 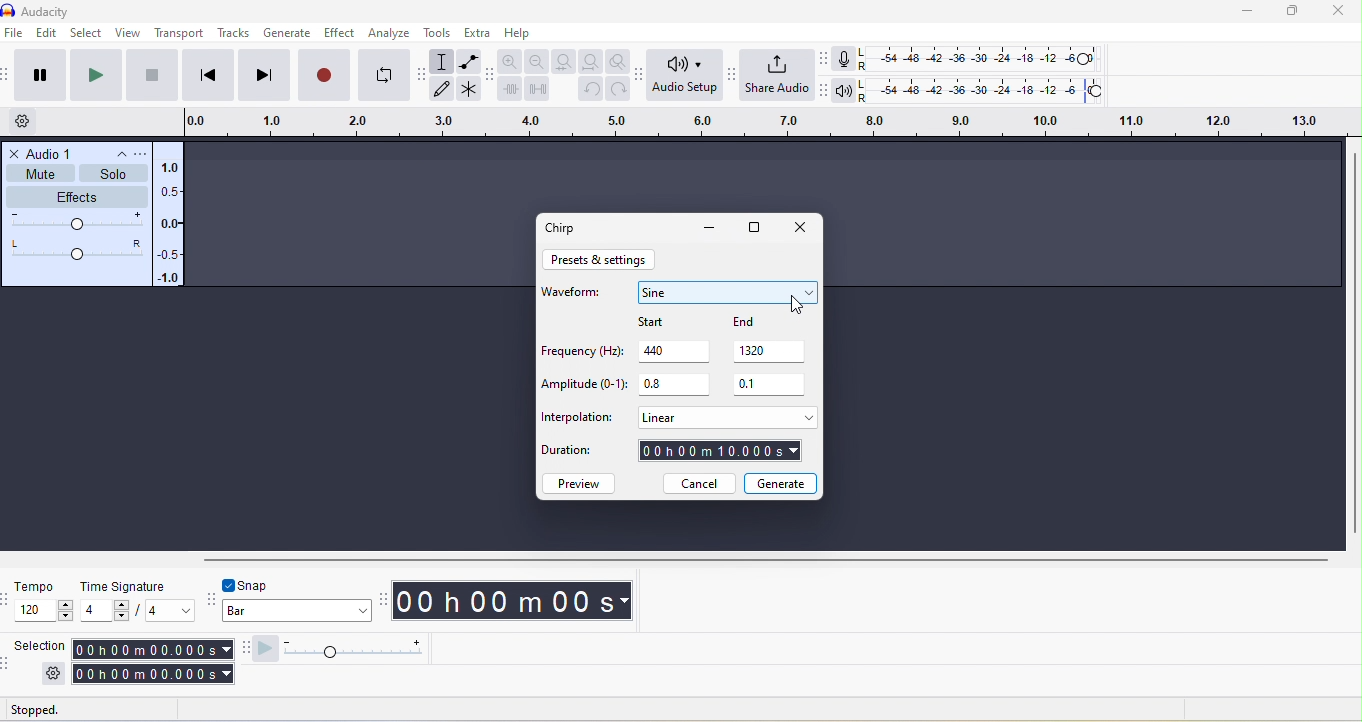 What do you see at coordinates (511, 60) in the screenshot?
I see `zoom in ` at bounding box center [511, 60].